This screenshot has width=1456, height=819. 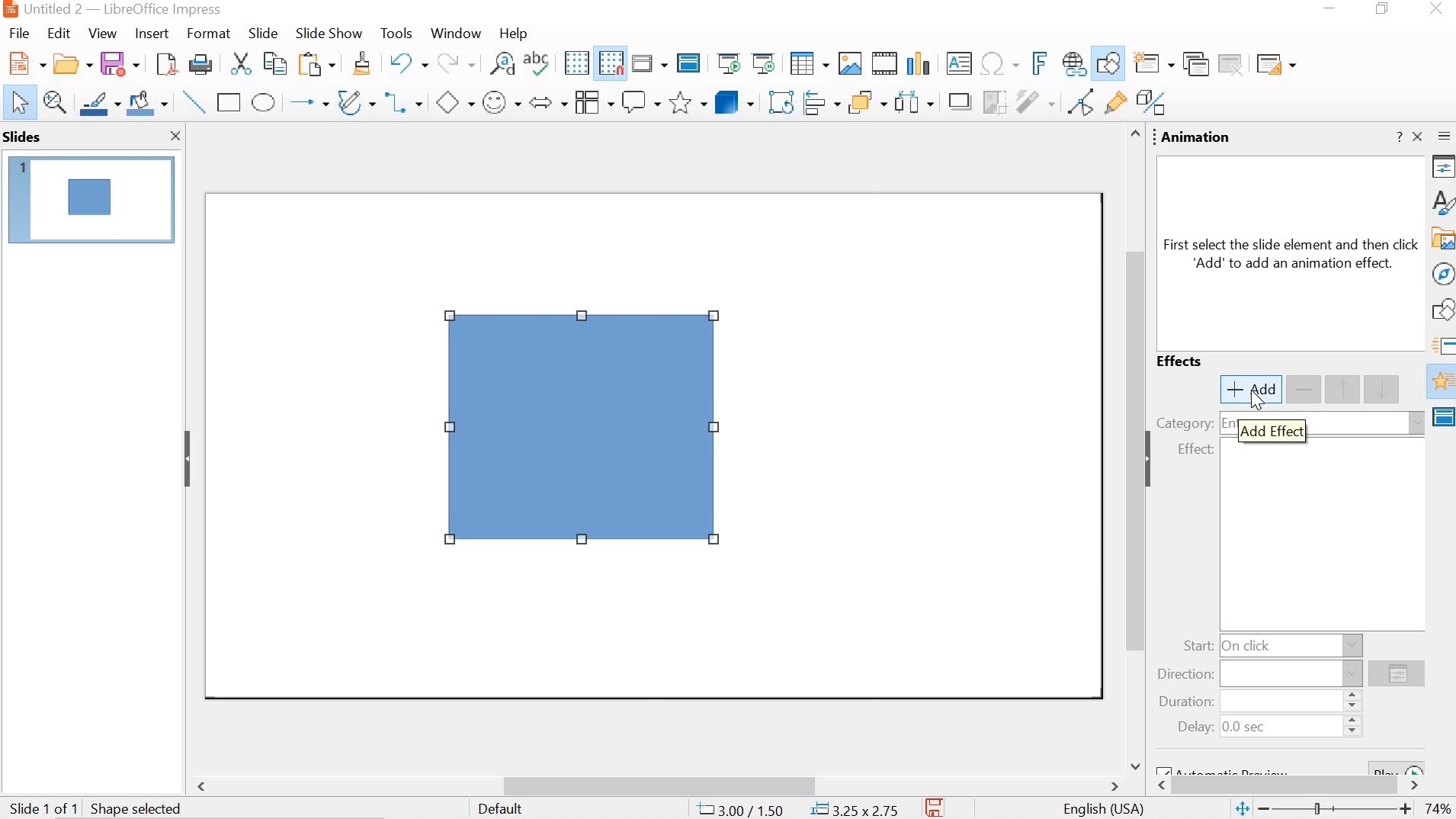 I want to click on 3.25x2.75, so click(x=855, y=808).